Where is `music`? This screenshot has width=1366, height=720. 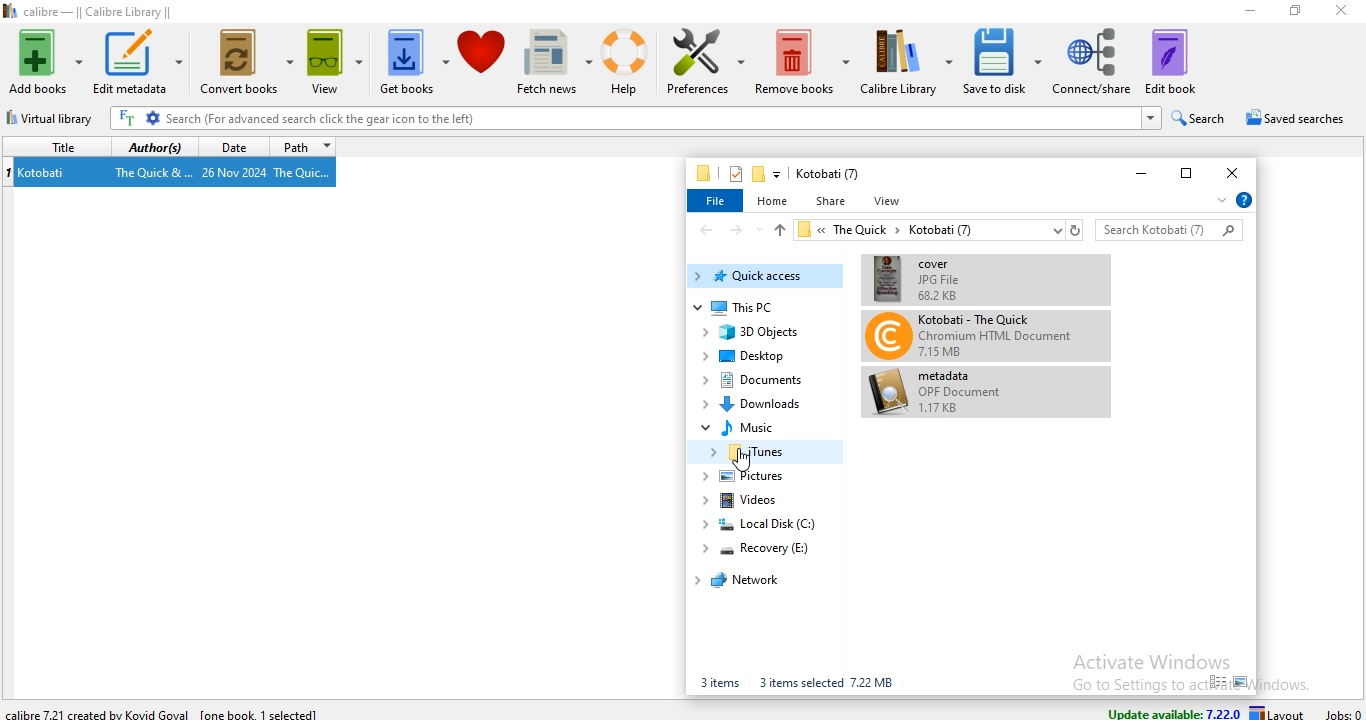 music is located at coordinates (751, 427).